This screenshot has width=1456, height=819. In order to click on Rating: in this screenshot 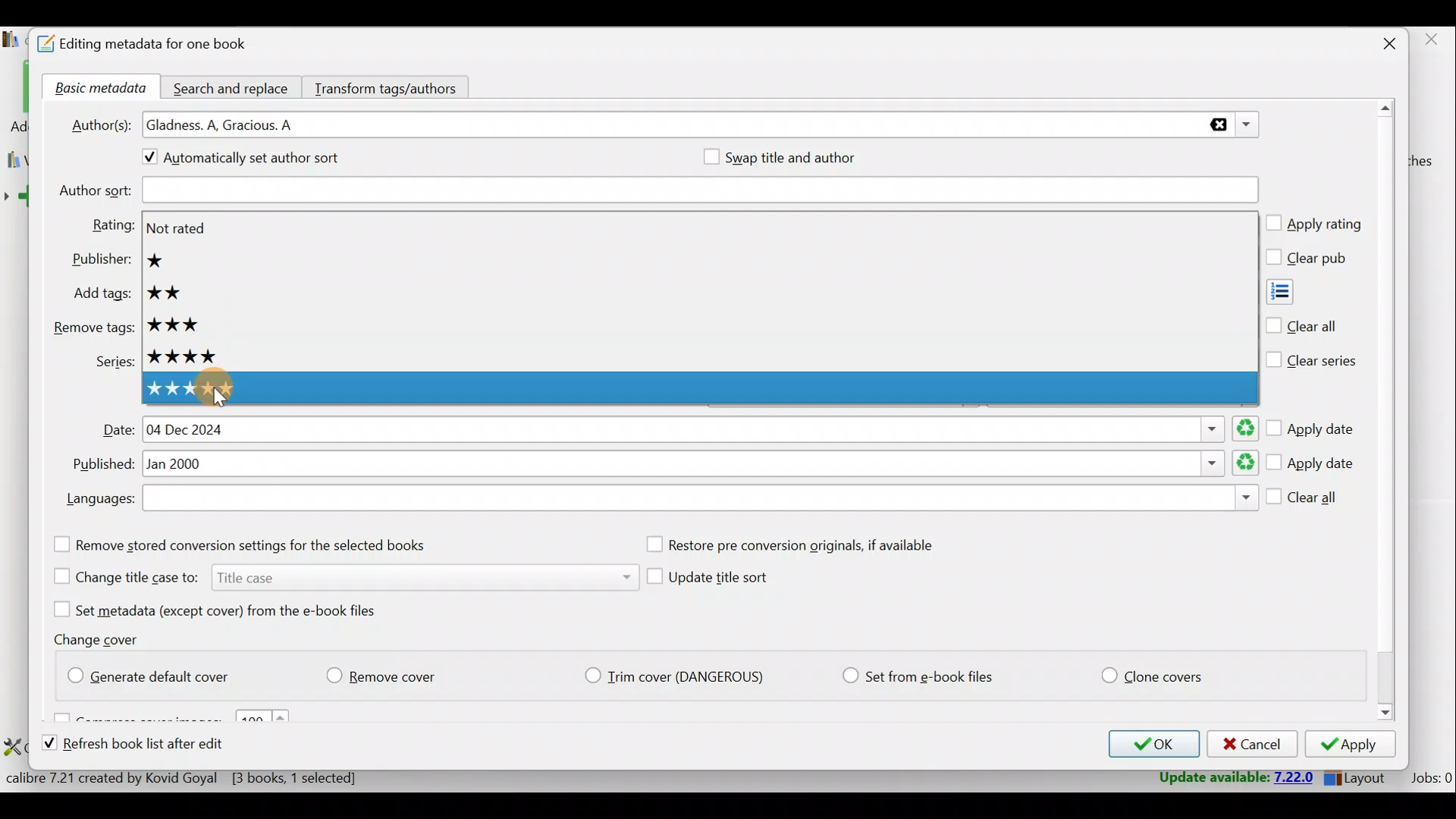, I will do `click(112, 225)`.